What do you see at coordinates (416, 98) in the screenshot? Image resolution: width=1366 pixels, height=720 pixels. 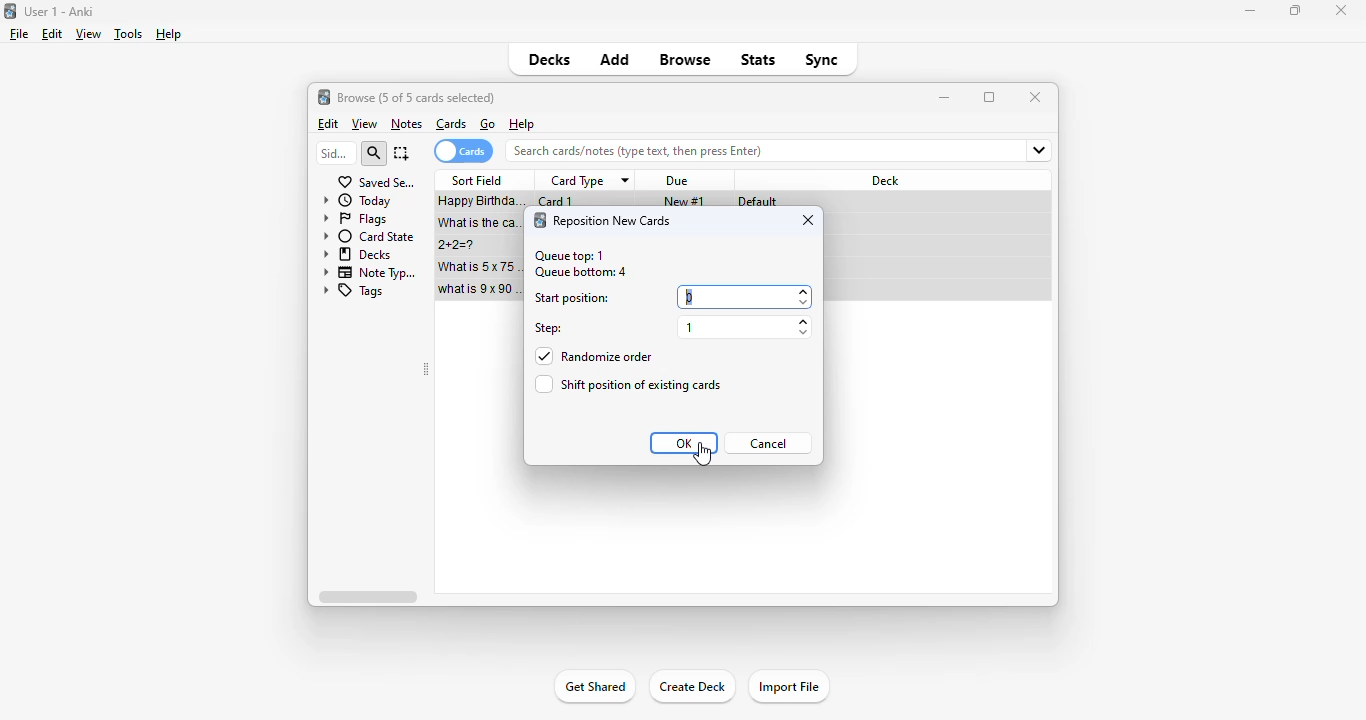 I see `browse (1 of 5 cards selected)` at bounding box center [416, 98].